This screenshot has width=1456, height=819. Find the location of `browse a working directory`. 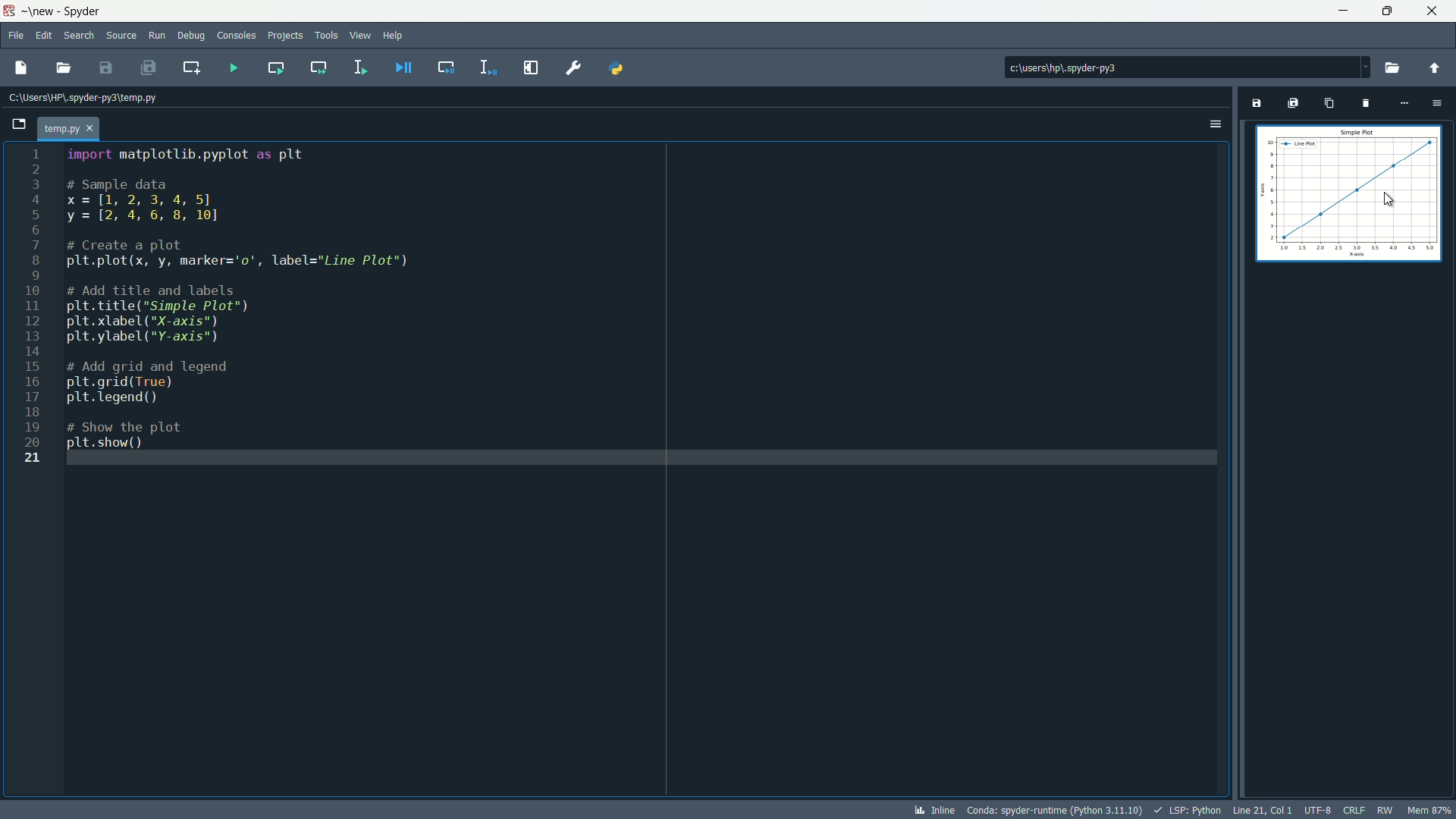

browse a working directory is located at coordinates (1395, 67).